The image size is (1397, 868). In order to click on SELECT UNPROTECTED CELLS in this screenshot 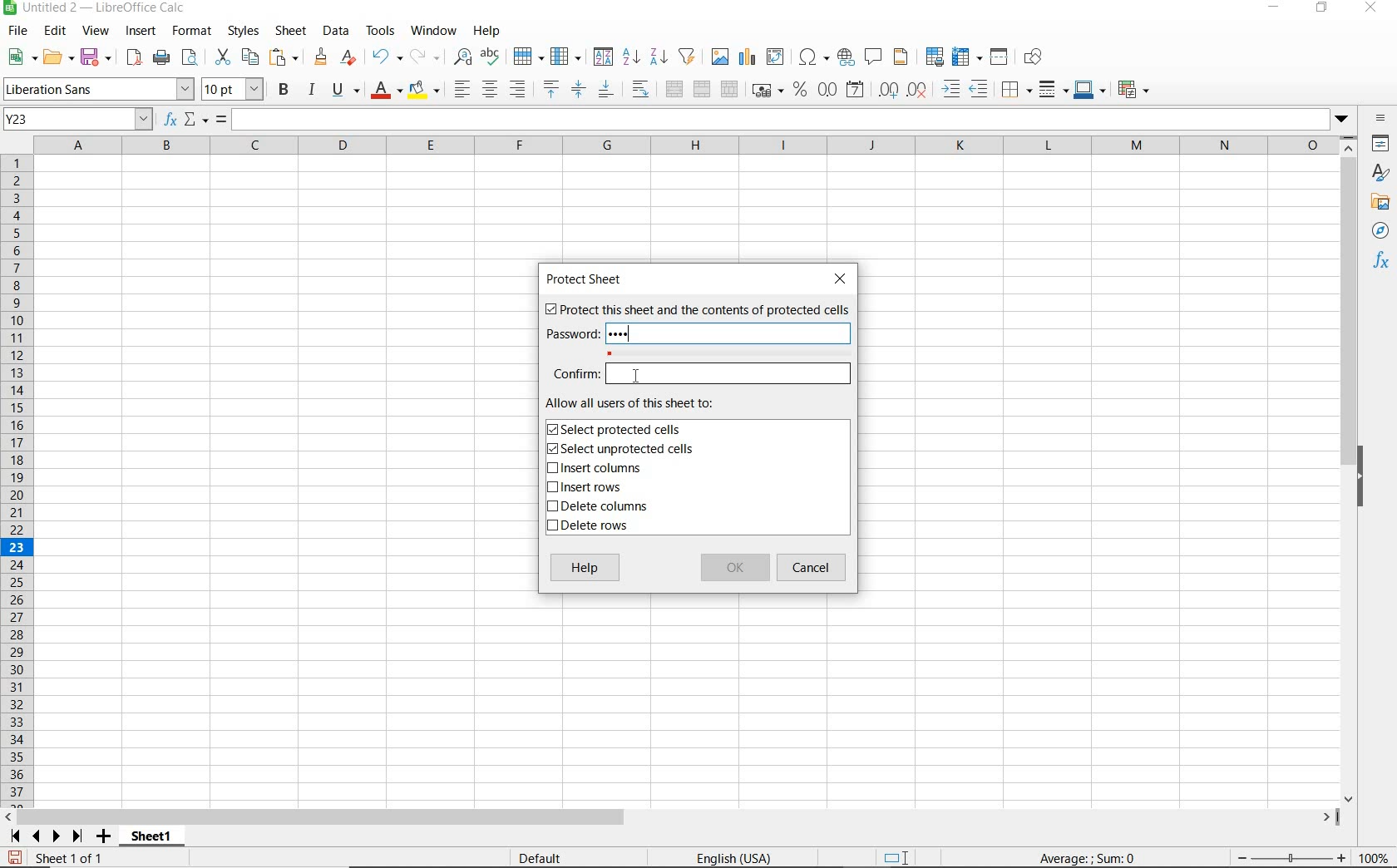, I will do `click(623, 450)`.